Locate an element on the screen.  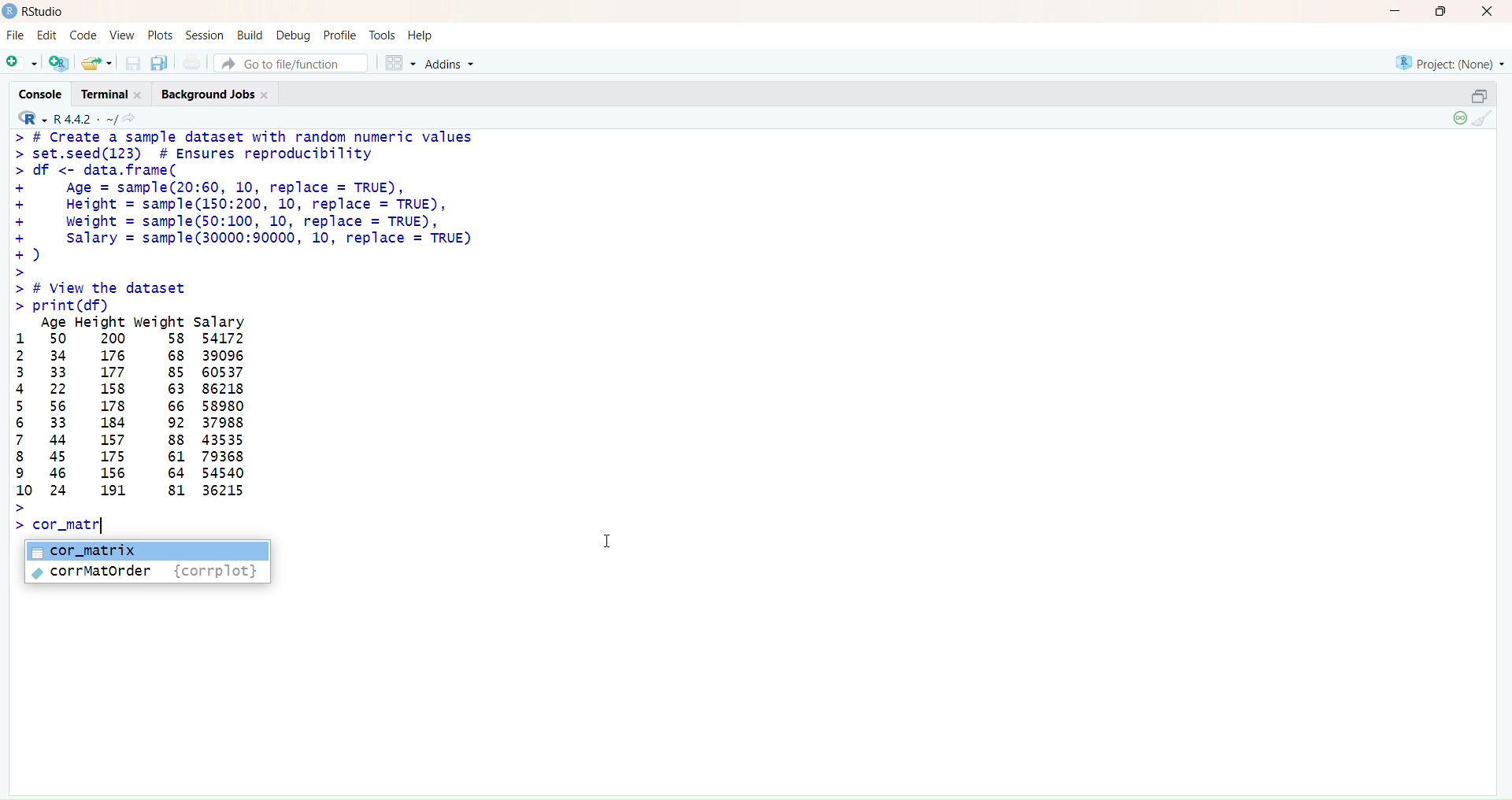
Go to file/function is located at coordinates (290, 64).